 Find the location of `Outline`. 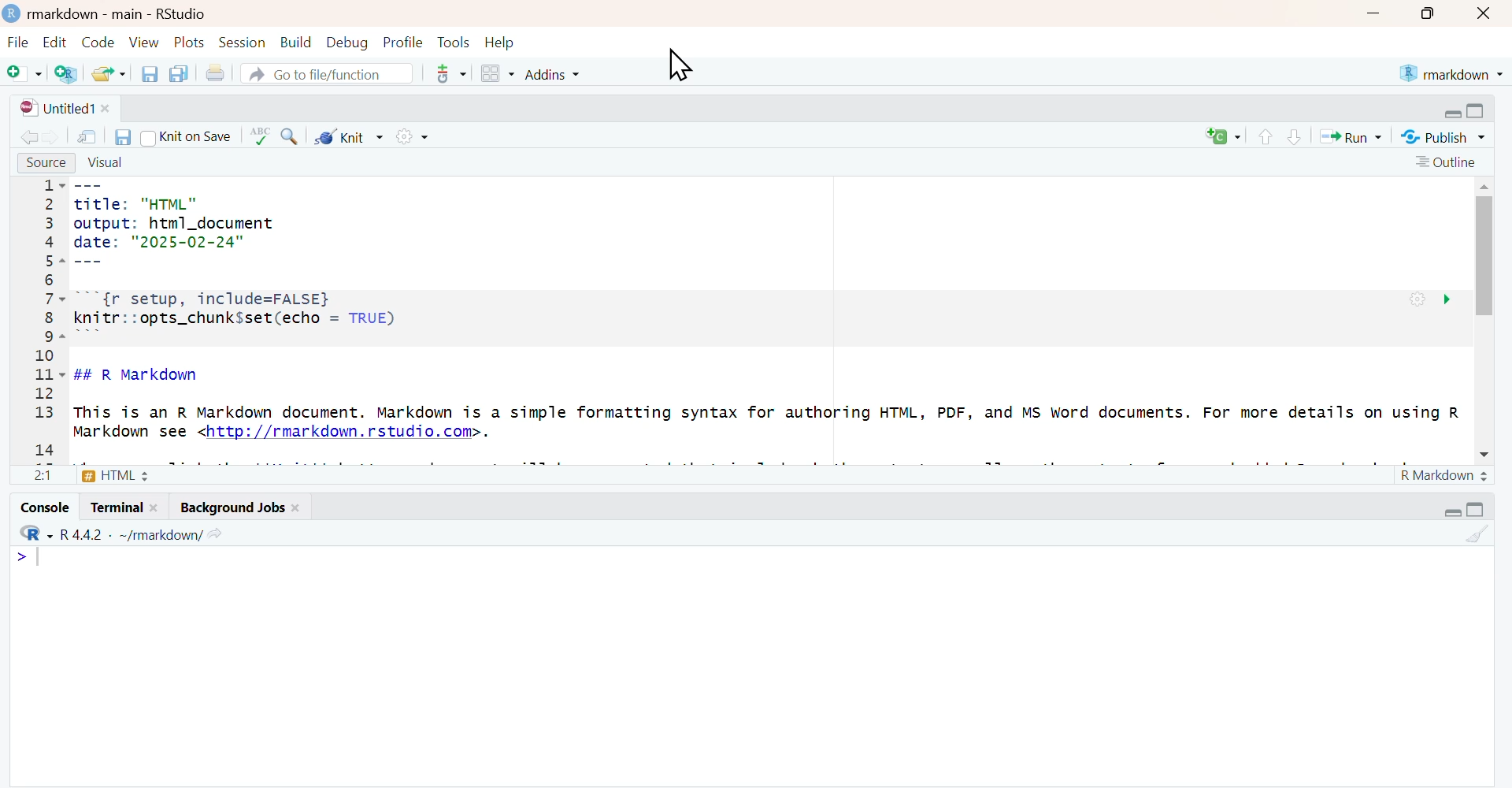

Outline is located at coordinates (1447, 162).